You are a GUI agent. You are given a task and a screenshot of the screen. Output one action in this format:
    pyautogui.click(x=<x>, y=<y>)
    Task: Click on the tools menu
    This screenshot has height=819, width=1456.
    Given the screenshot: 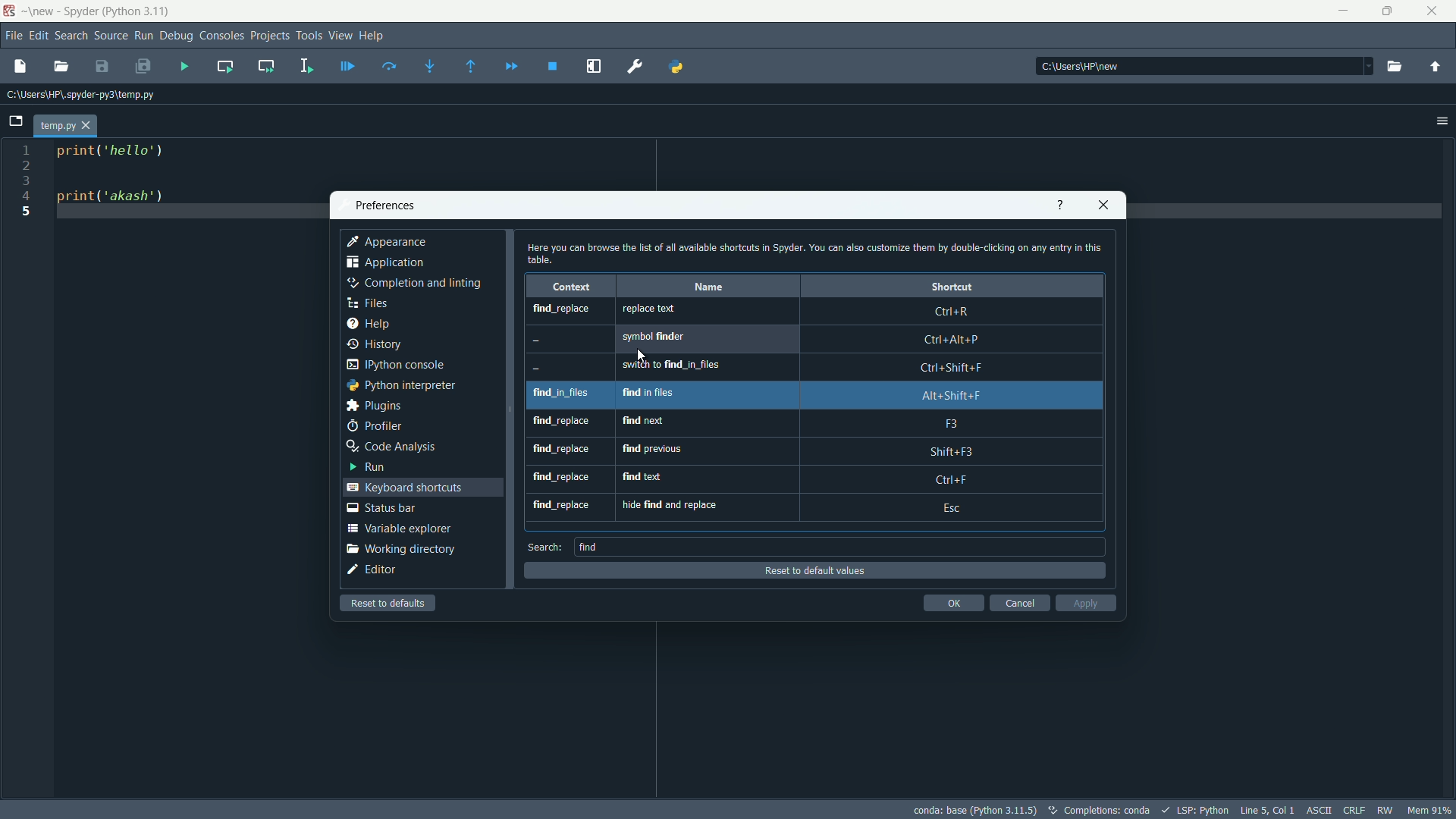 What is the action you would take?
    pyautogui.click(x=306, y=35)
    